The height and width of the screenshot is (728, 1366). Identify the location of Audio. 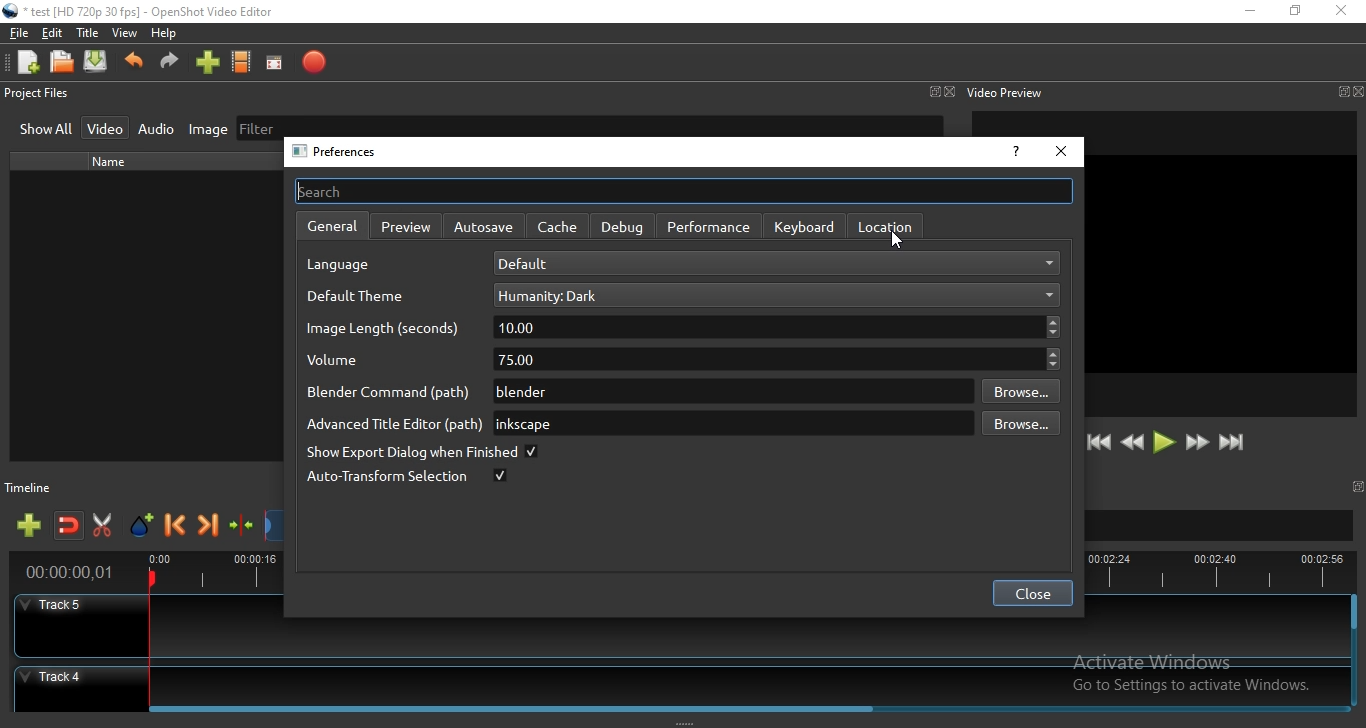
(157, 129).